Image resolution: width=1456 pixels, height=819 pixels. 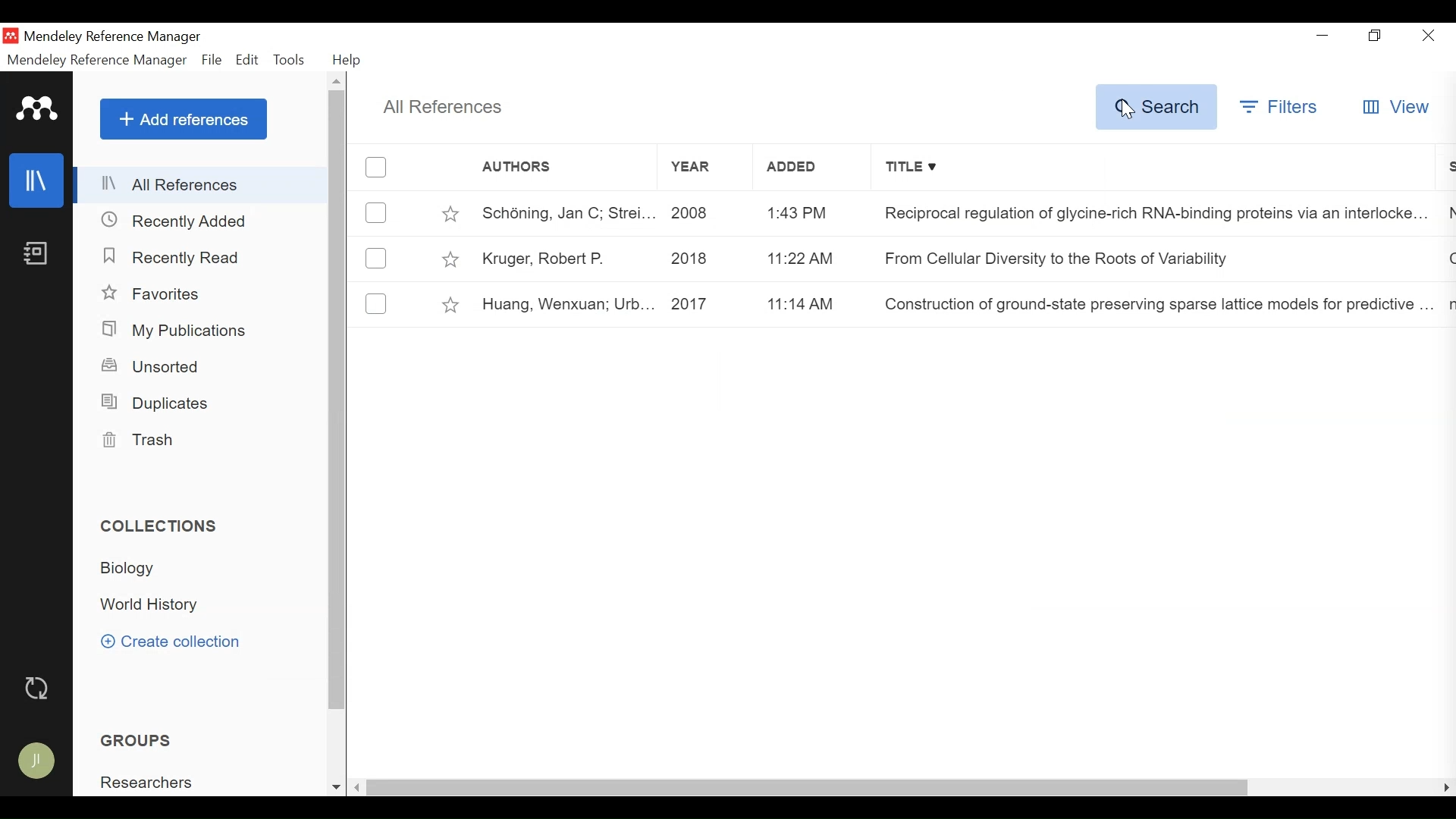 What do you see at coordinates (450, 212) in the screenshot?
I see `Toggle Favorites` at bounding box center [450, 212].